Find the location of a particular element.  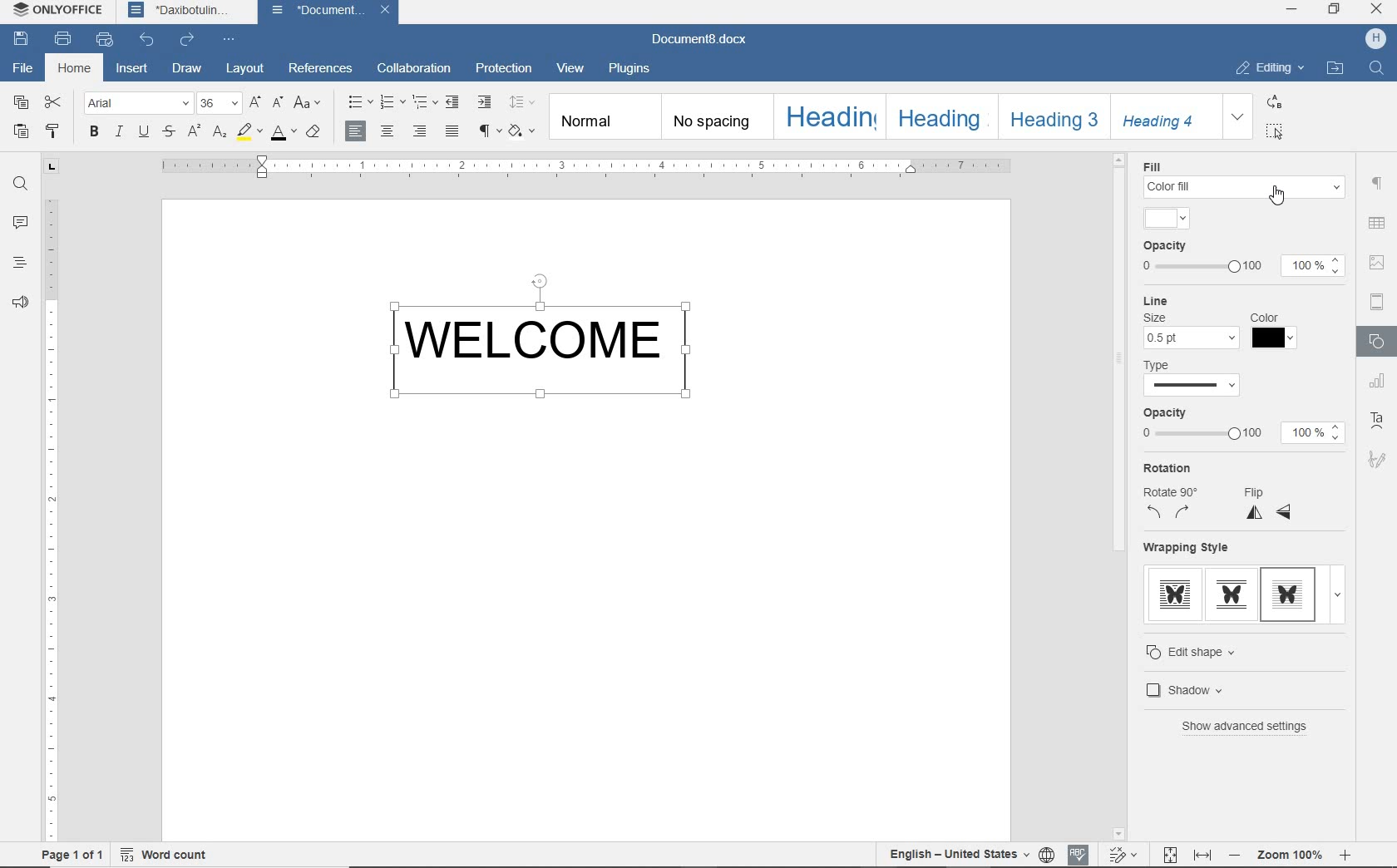

show advanced settings is located at coordinates (1250, 727).